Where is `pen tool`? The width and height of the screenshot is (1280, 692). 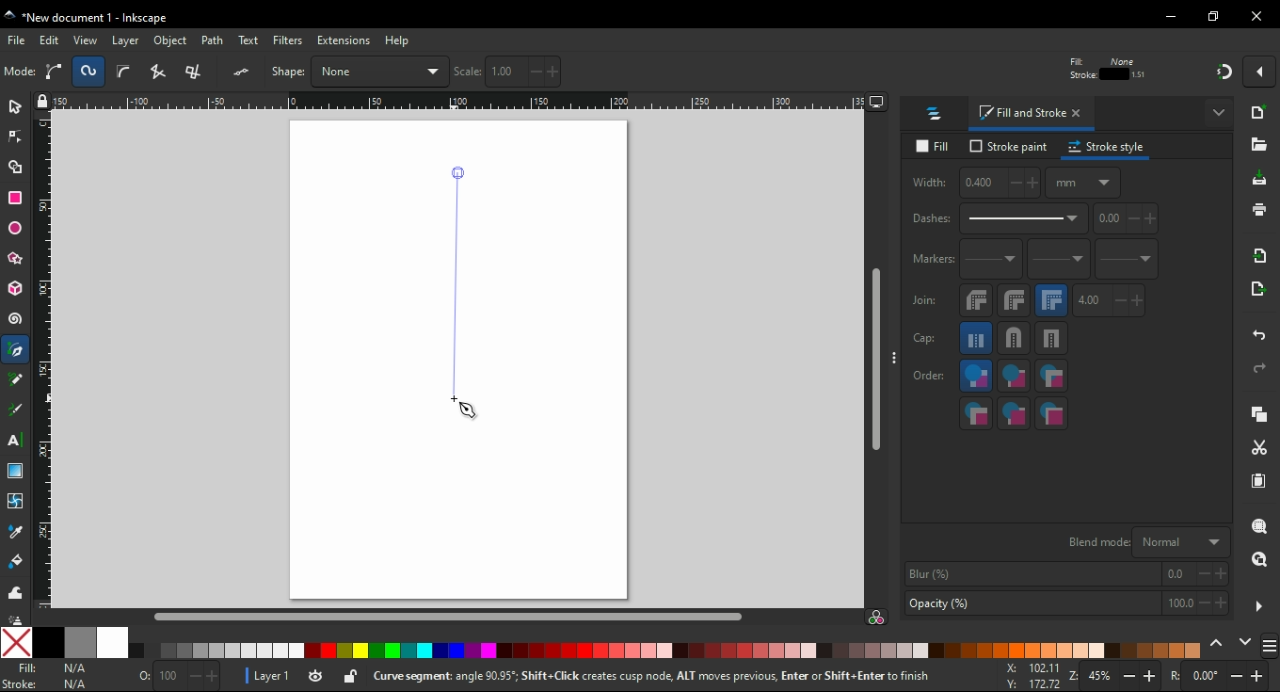
pen tool is located at coordinates (17, 351).